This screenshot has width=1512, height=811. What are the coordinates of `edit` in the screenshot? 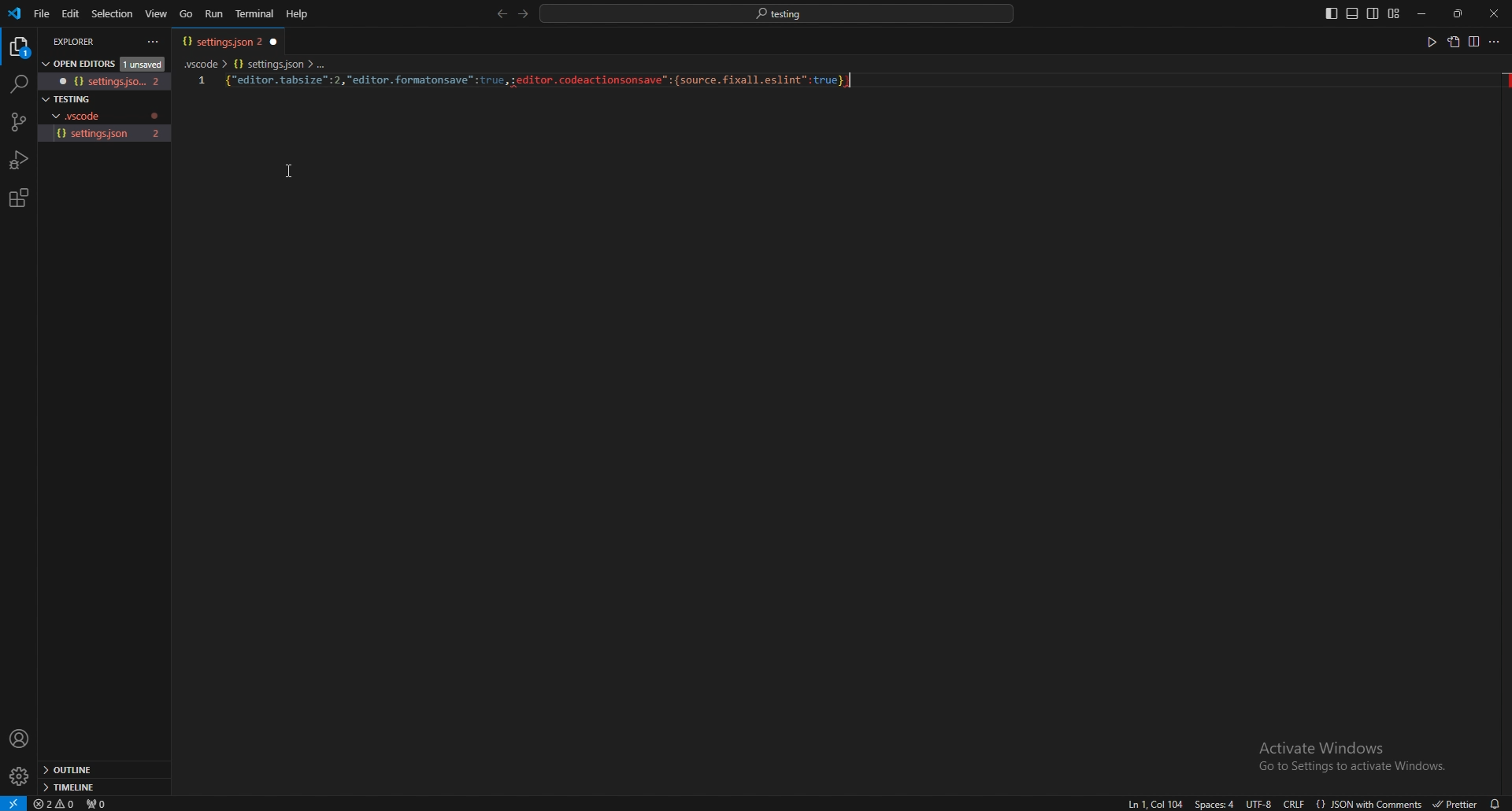 It's located at (69, 14).